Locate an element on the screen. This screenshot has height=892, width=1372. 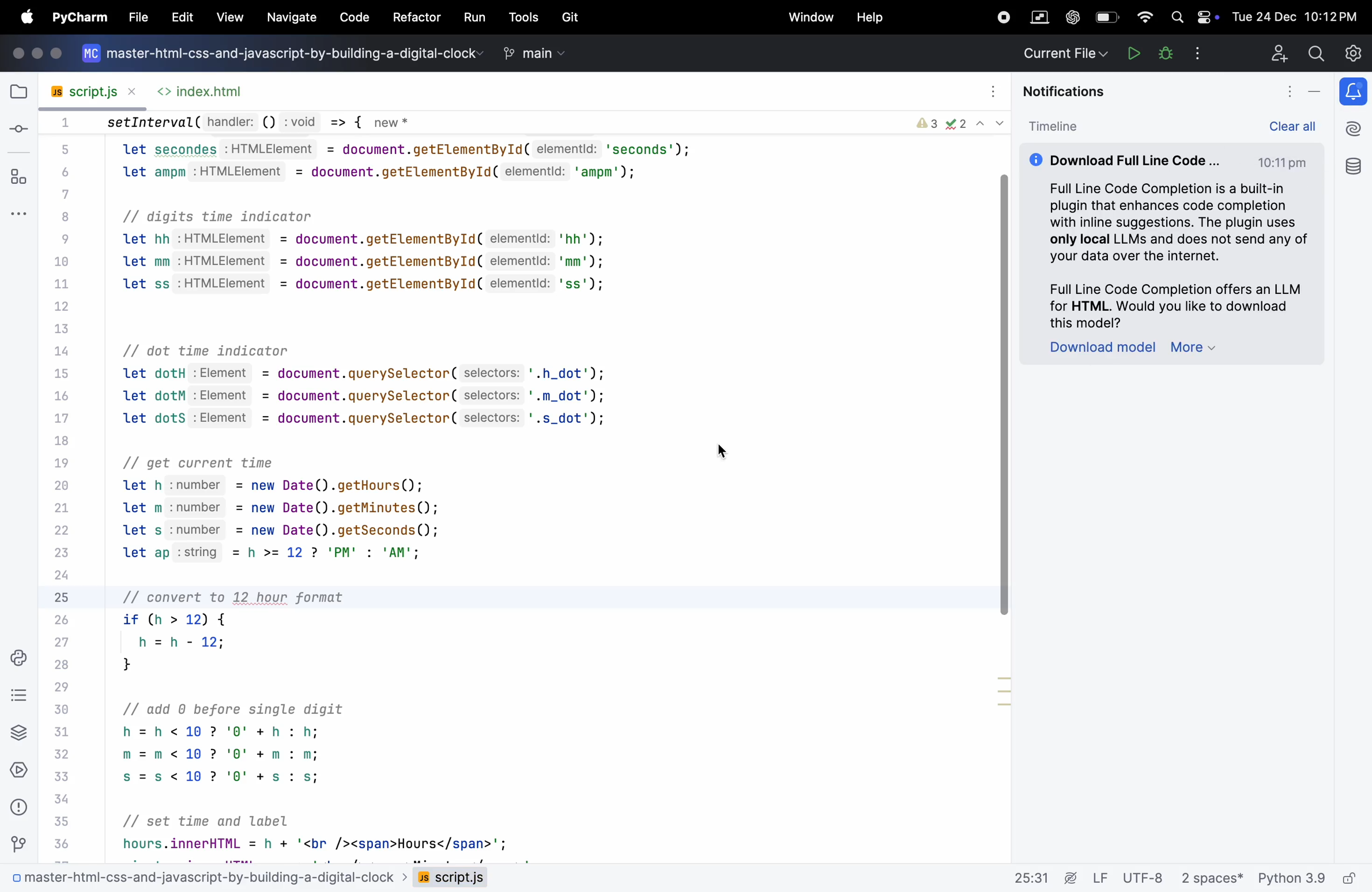
battery is located at coordinates (1208, 14).